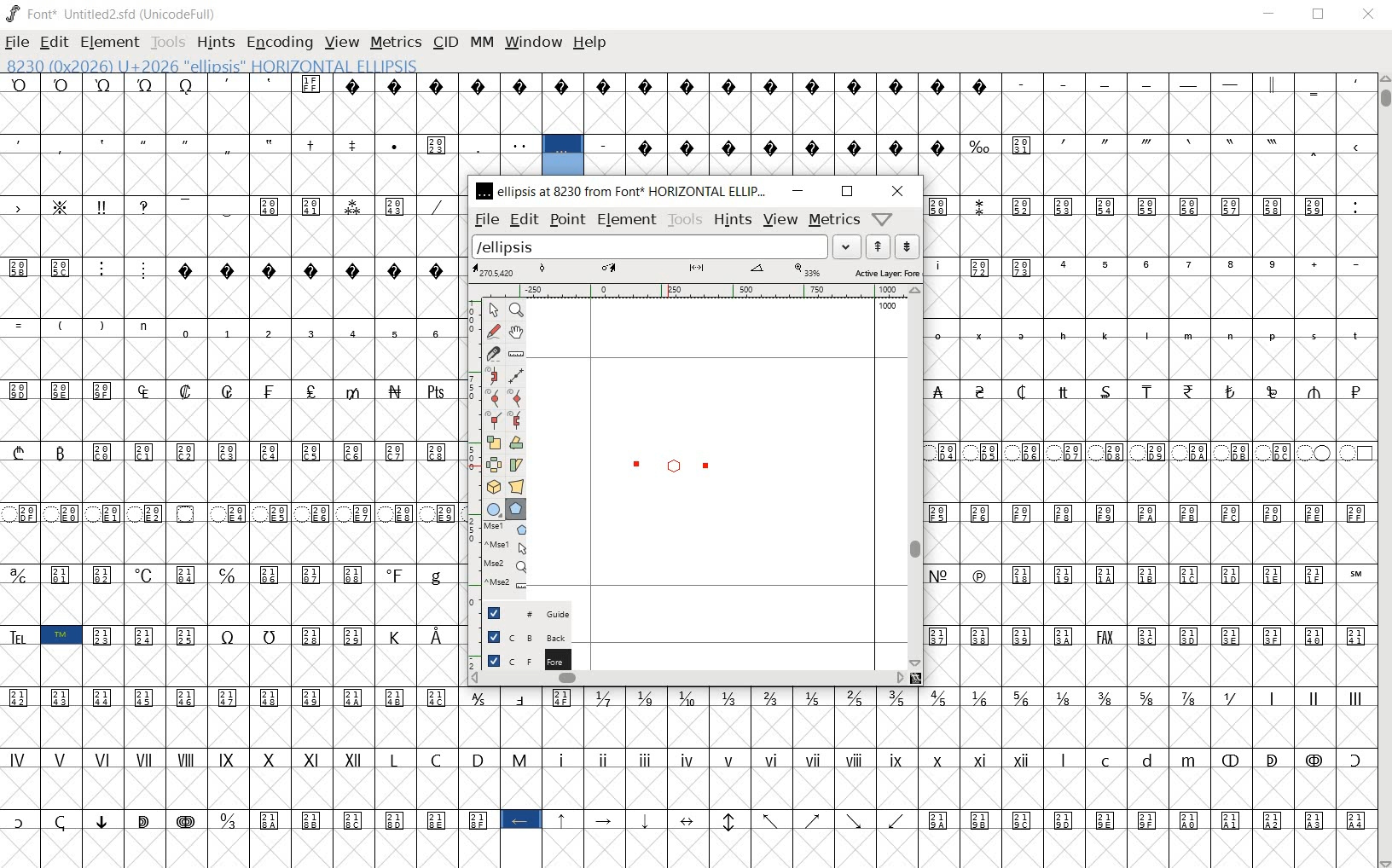 This screenshot has height=868, width=1392. What do you see at coordinates (340, 43) in the screenshot?
I see `VIEW` at bounding box center [340, 43].